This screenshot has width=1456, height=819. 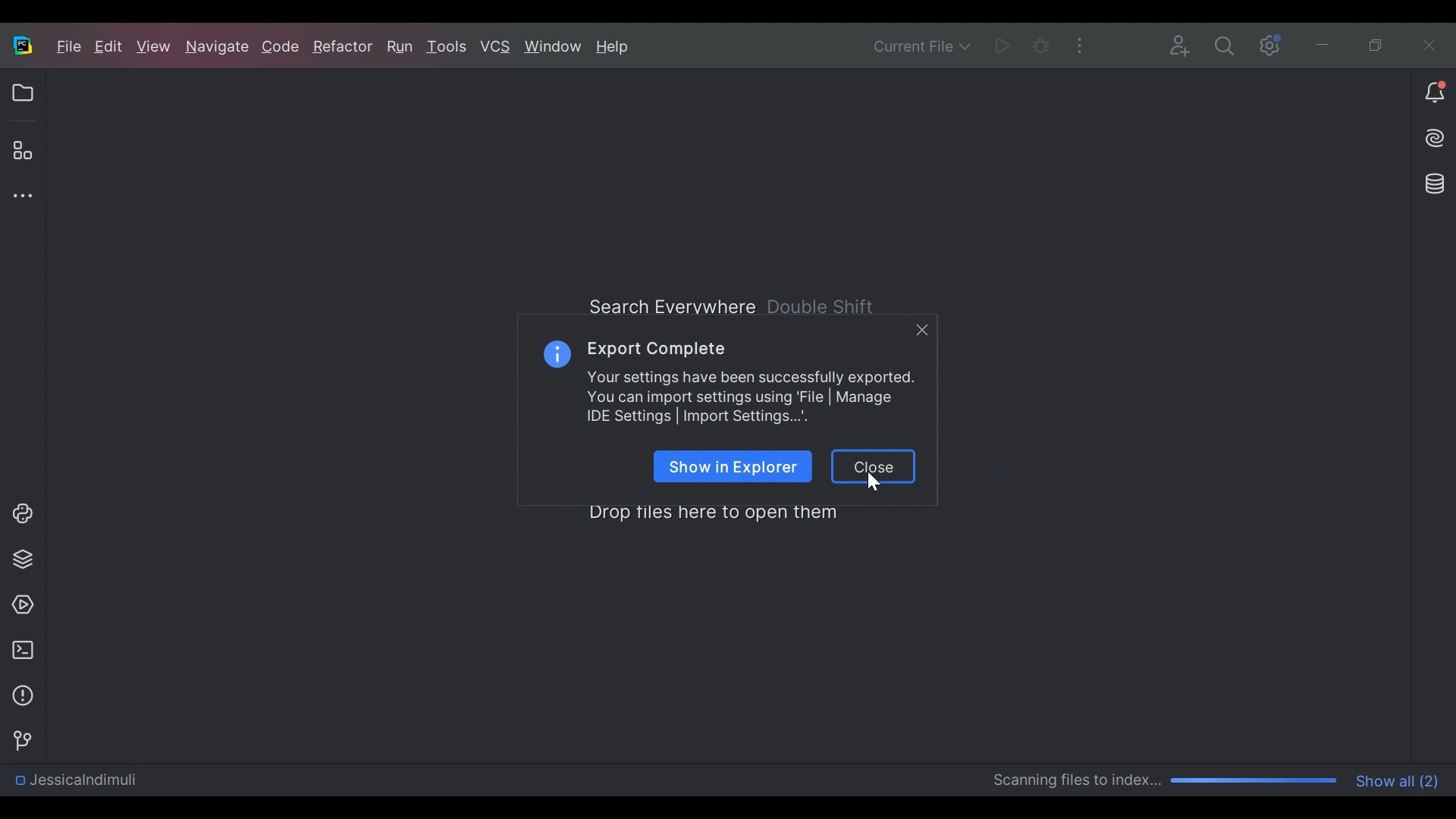 I want to click on Database, so click(x=1437, y=184).